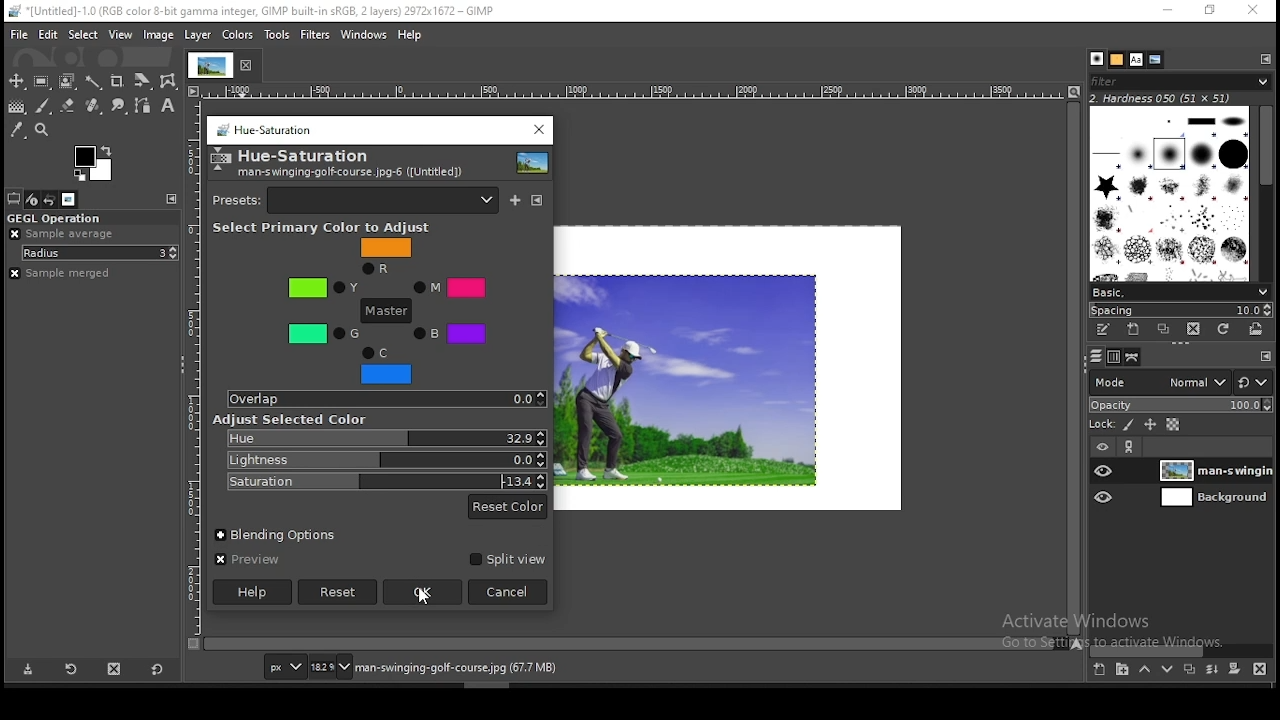  Describe the element at coordinates (331, 667) in the screenshot. I see `zoom status` at that location.